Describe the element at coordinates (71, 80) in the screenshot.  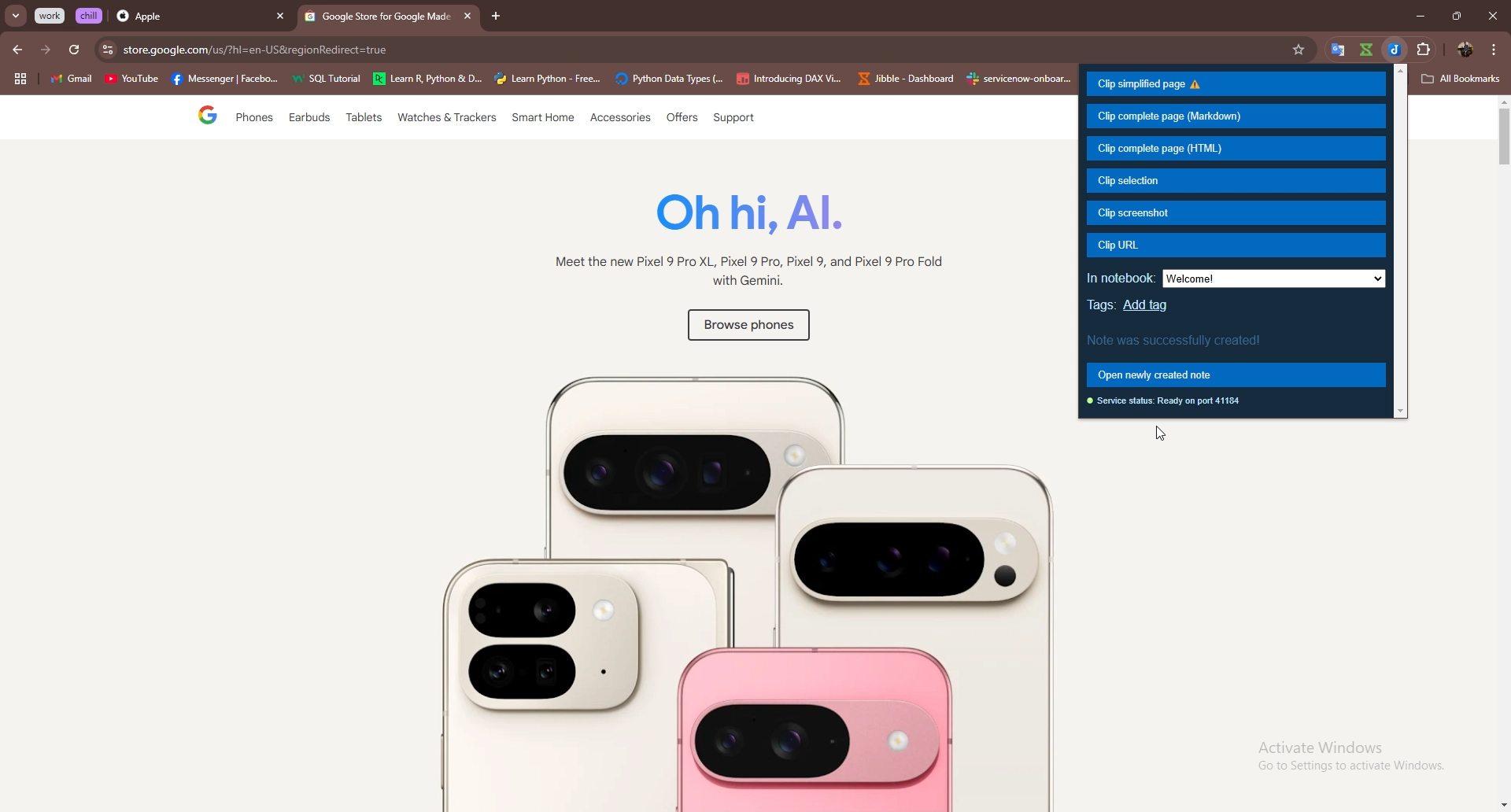
I see `gmail` at that location.